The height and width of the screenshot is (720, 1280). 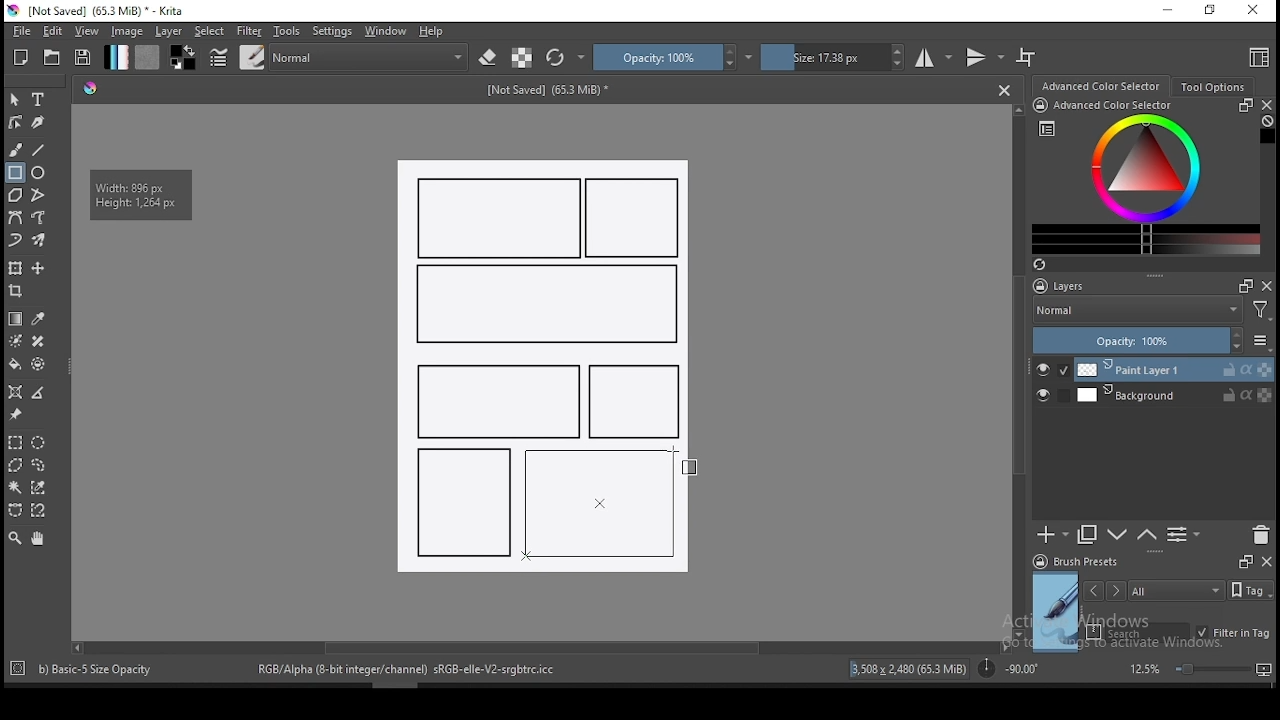 I want to click on gradient tool, so click(x=16, y=319).